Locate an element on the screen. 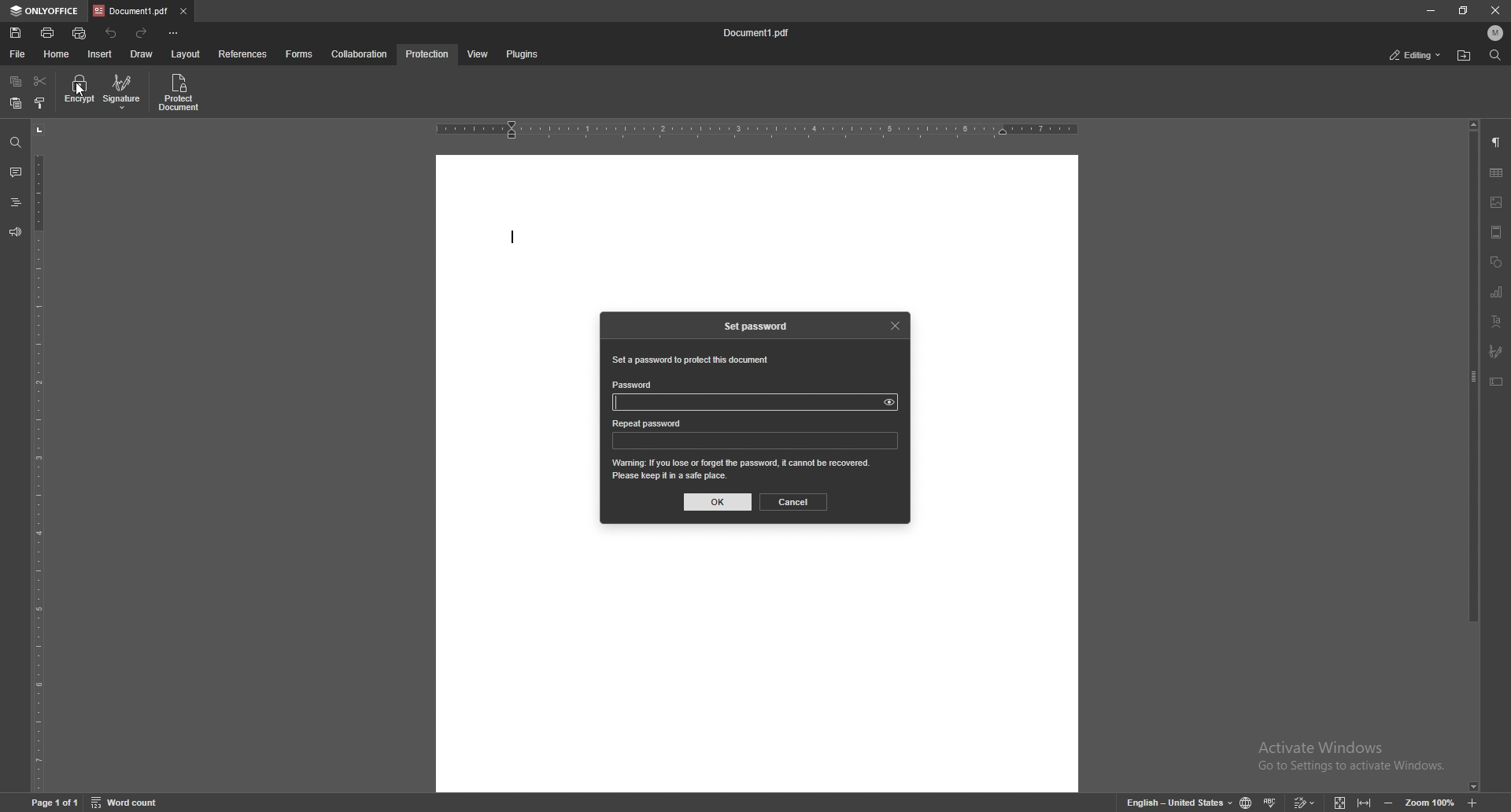  spell check is located at coordinates (1272, 802).